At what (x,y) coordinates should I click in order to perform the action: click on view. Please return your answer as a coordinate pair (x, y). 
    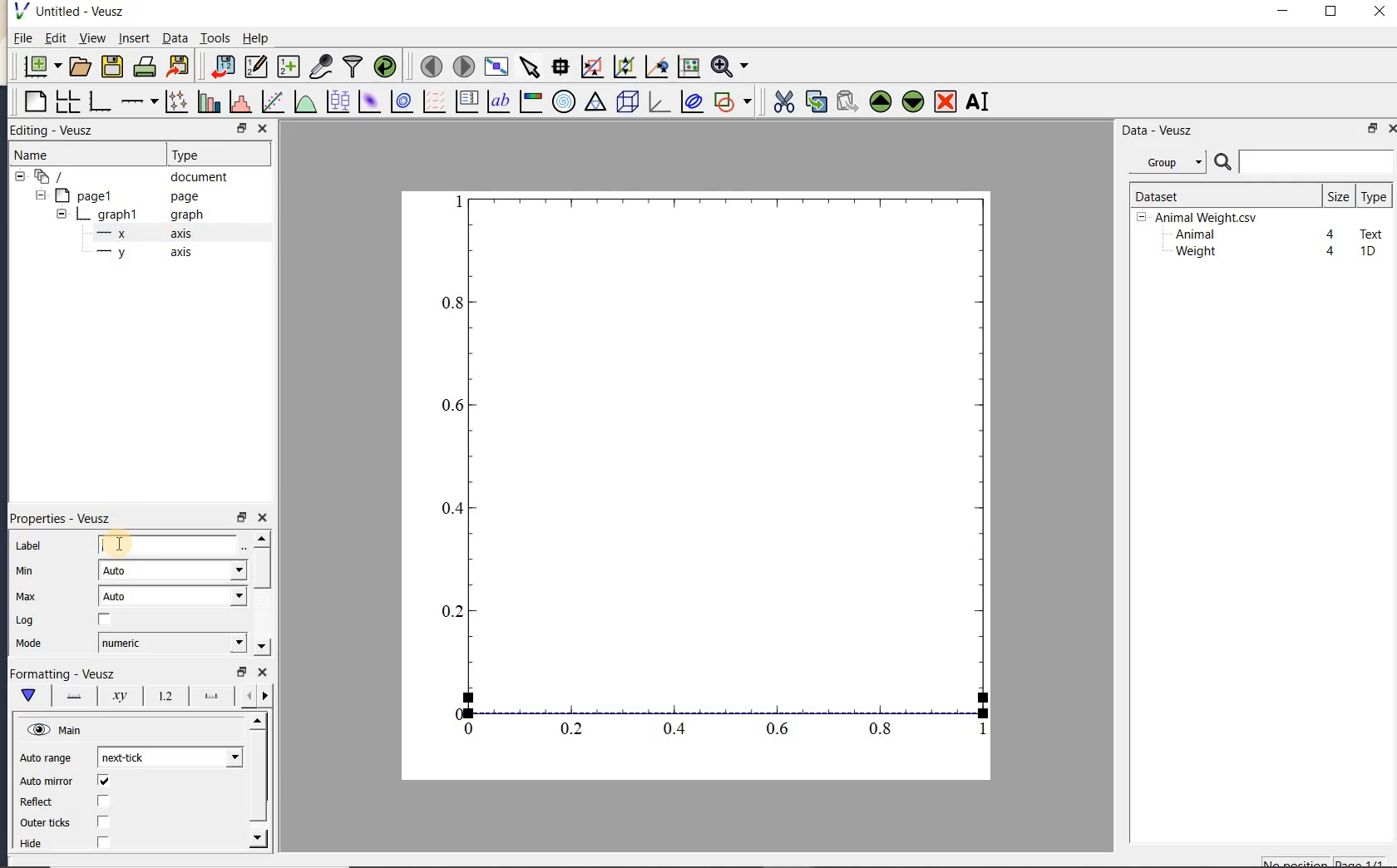
    Looking at the image, I should click on (91, 40).